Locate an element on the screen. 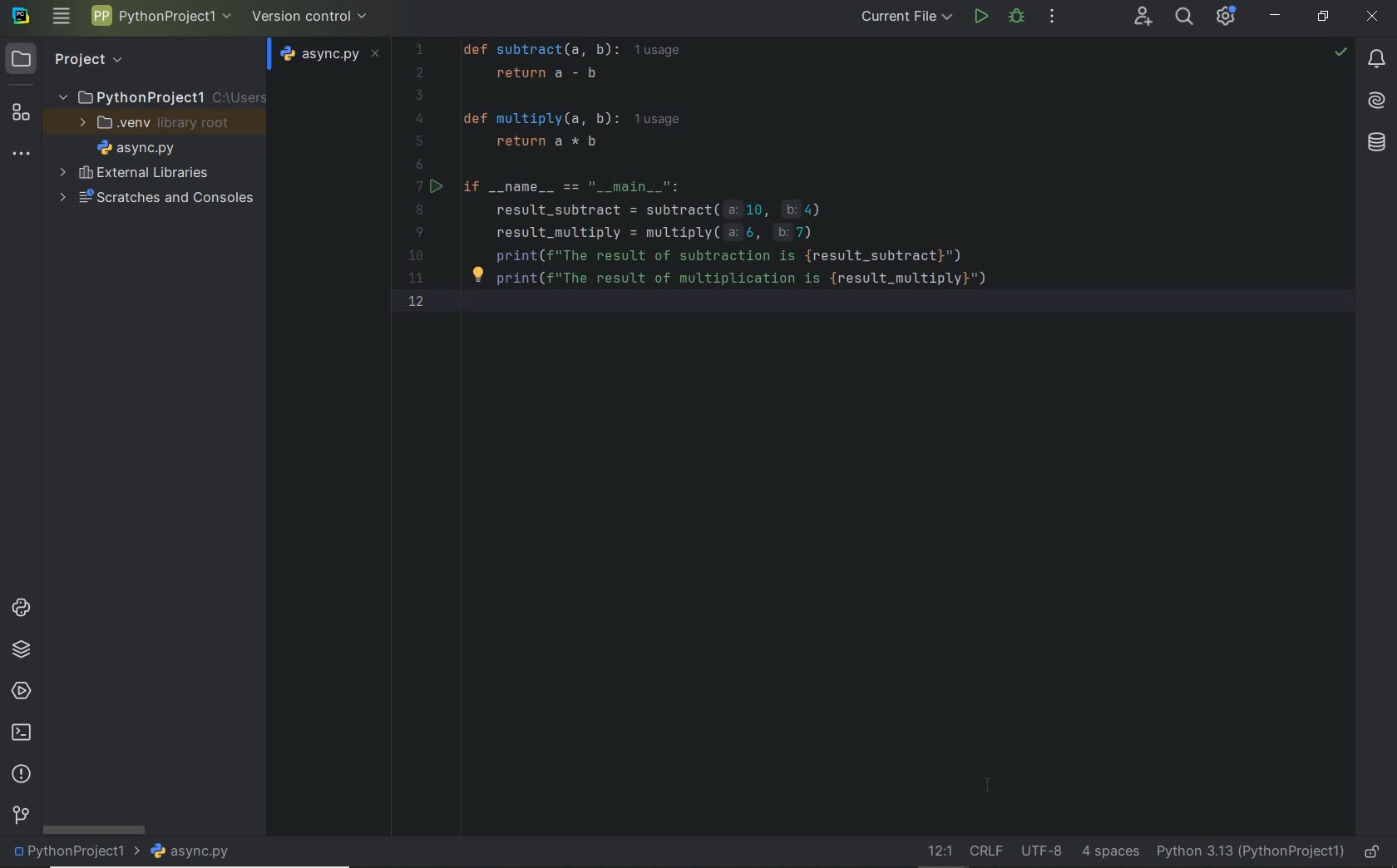 The height and width of the screenshot is (868, 1397). file name is located at coordinates (326, 55).